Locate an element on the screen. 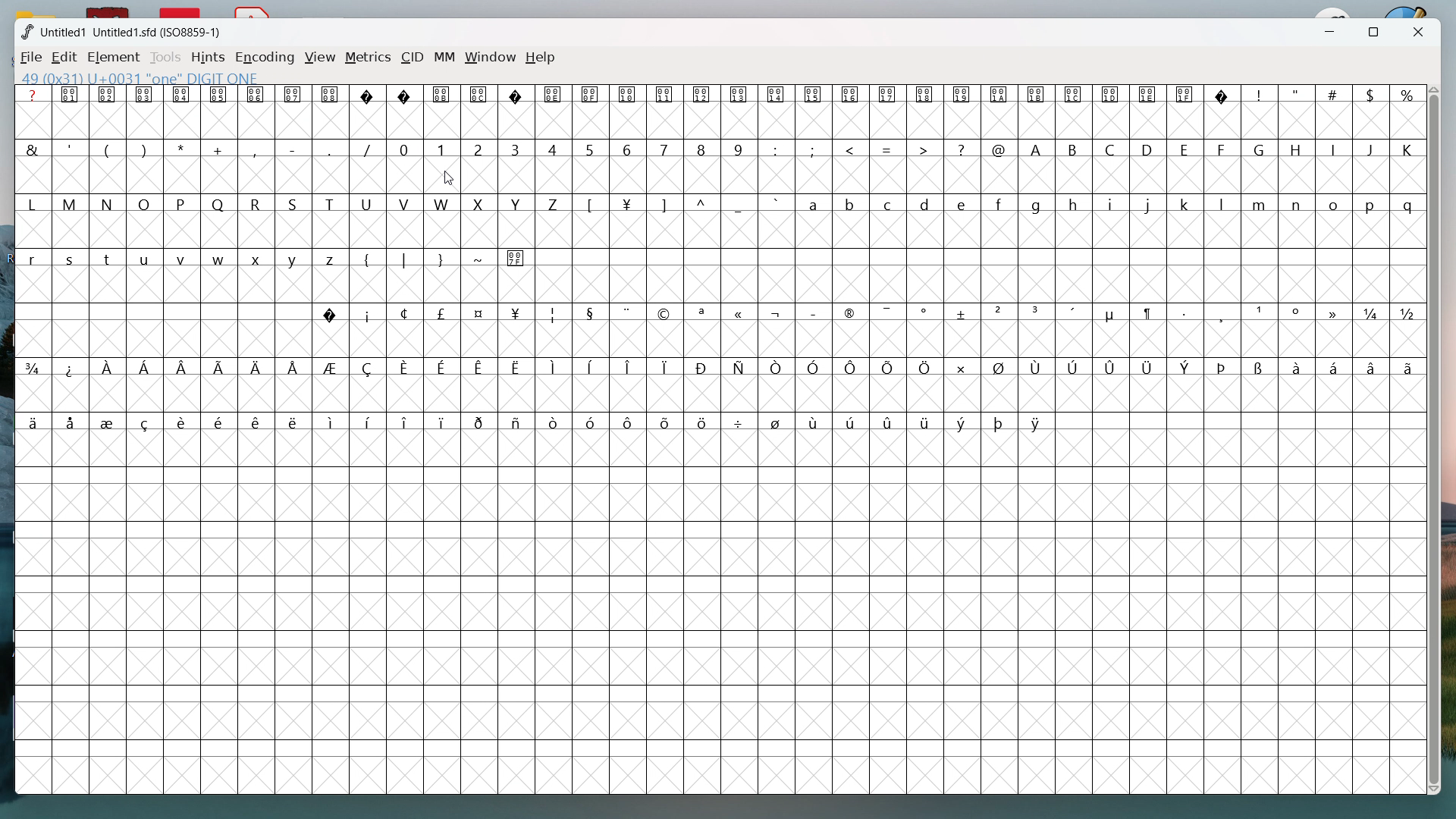  symbol is located at coordinates (740, 366).